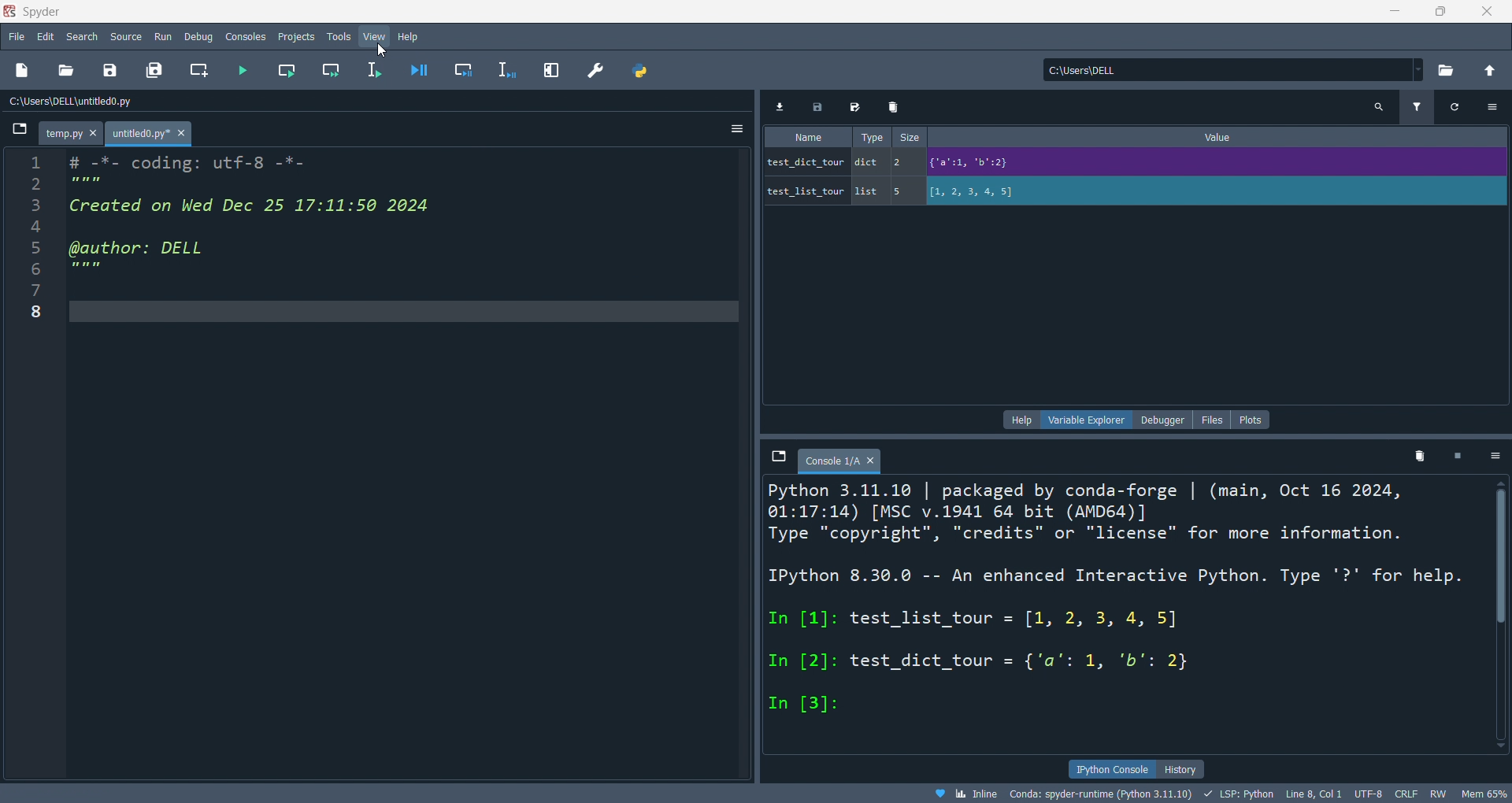 The image size is (1512, 803). I want to click on close, so click(1493, 12).